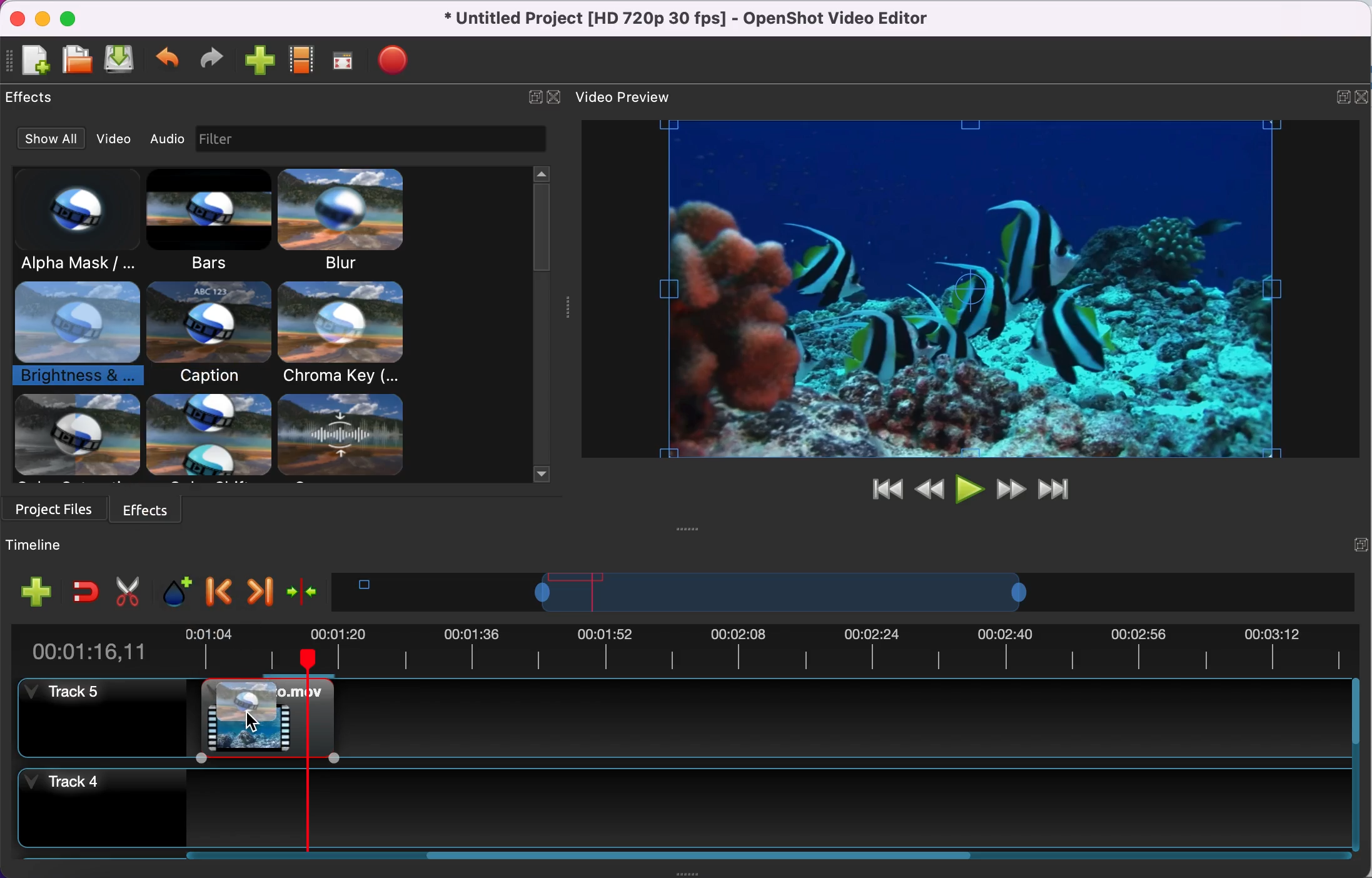 The height and width of the screenshot is (878, 1372). Describe the element at coordinates (208, 333) in the screenshot. I see `bubble` at that location.